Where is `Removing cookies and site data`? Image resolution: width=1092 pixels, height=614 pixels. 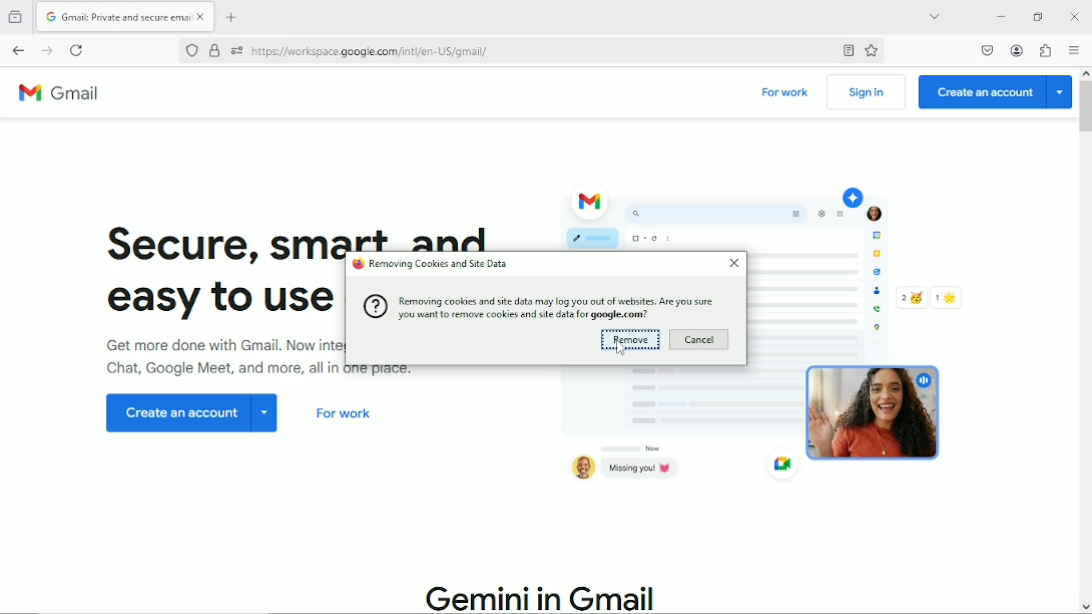 Removing cookies and site data is located at coordinates (430, 265).